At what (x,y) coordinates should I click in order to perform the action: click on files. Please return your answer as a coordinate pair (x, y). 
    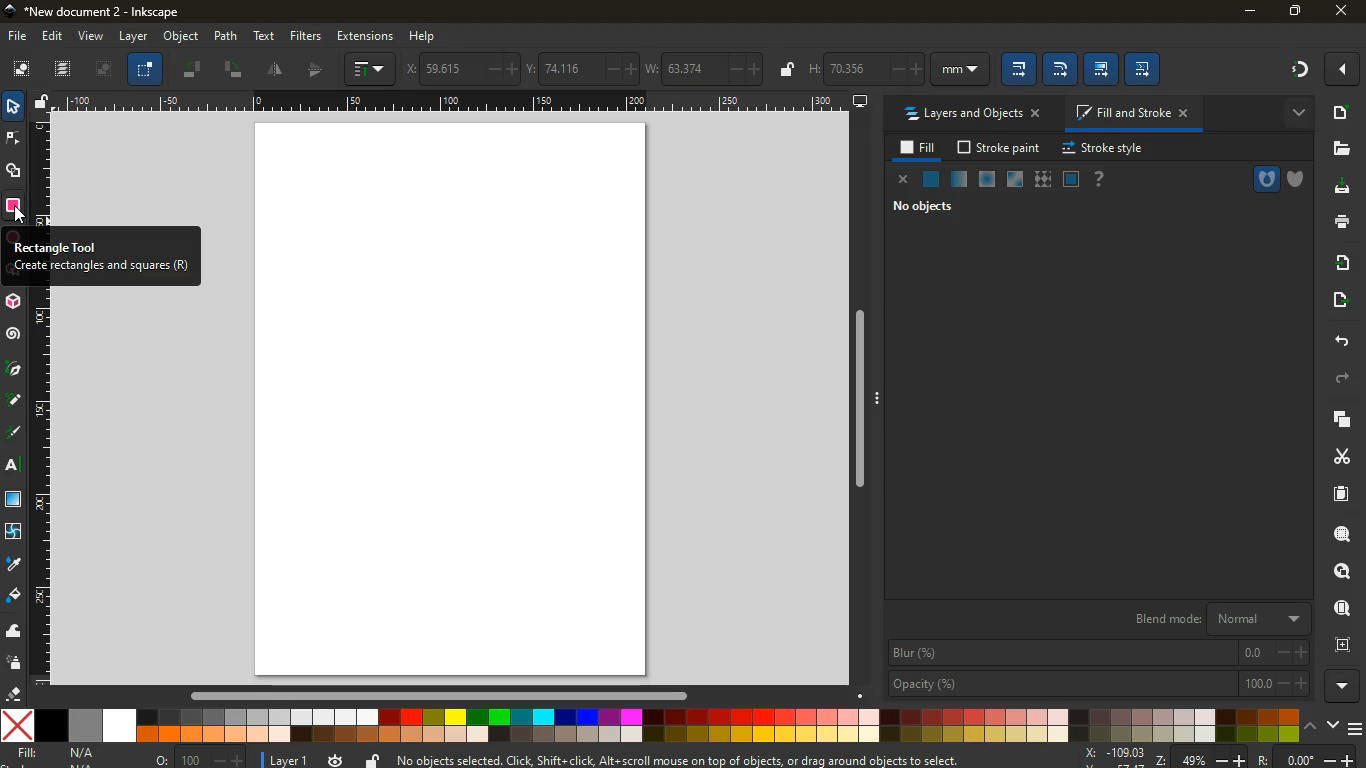
    Looking at the image, I should click on (1334, 148).